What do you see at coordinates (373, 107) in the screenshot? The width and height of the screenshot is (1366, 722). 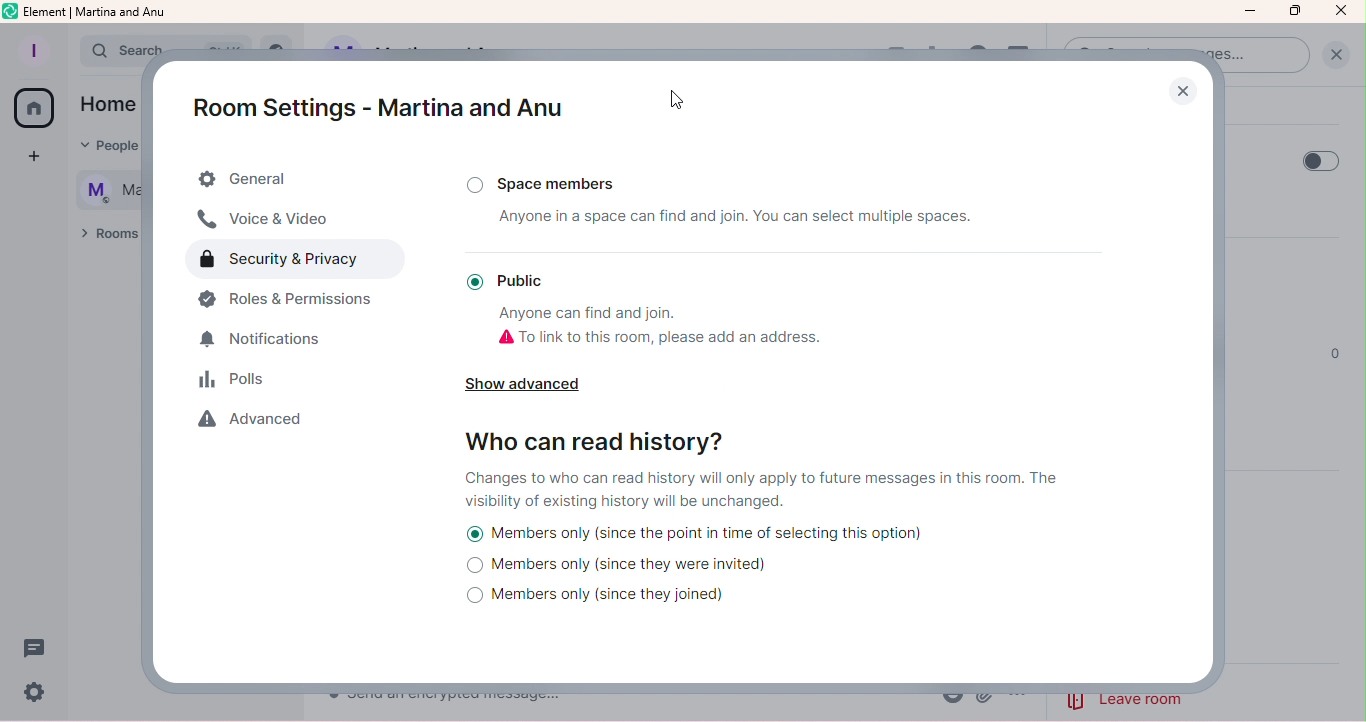 I see `Room settings - Martina and Anu` at bounding box center [373, 107].